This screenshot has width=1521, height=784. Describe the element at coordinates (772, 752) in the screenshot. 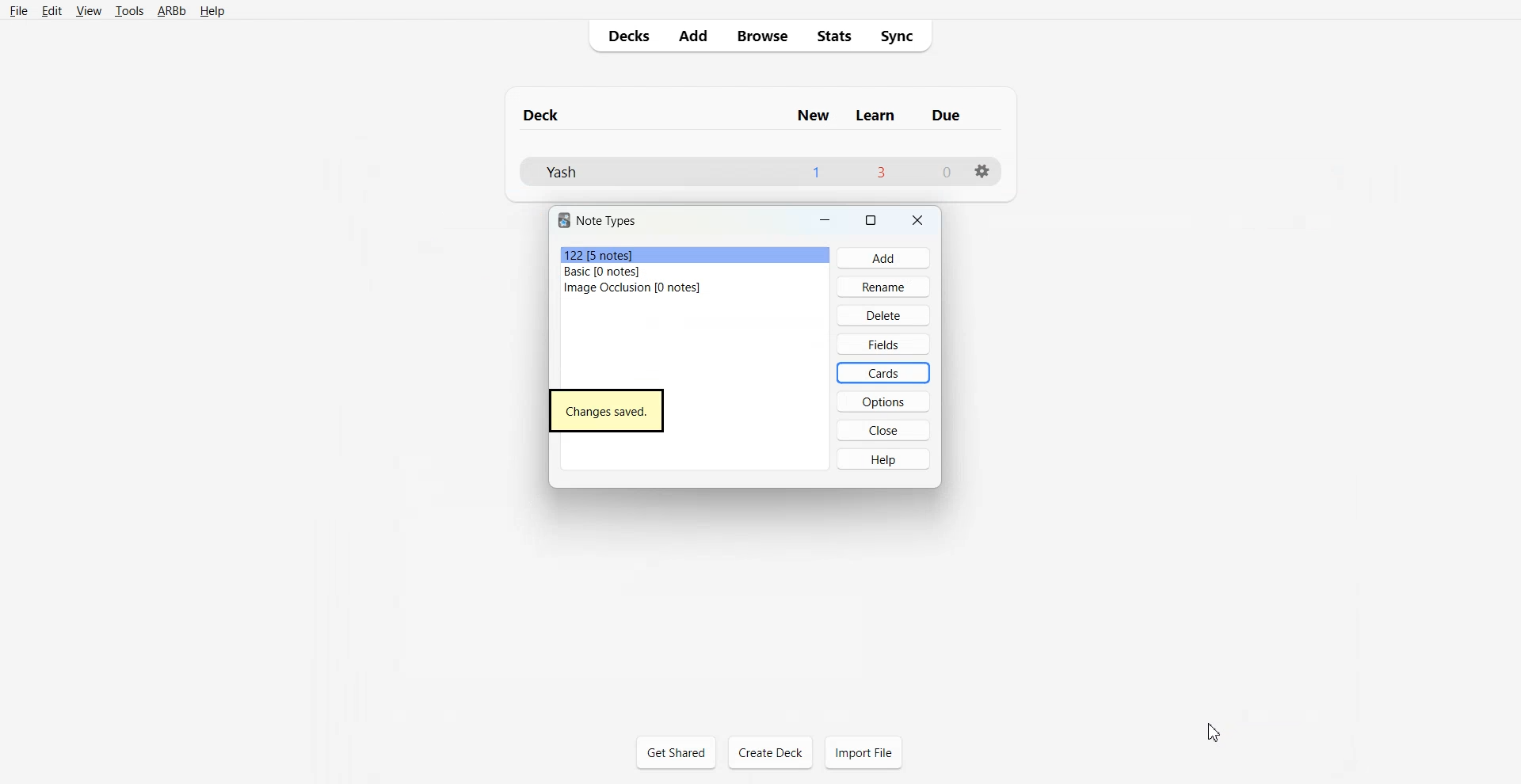

I see `create deck` at that location.